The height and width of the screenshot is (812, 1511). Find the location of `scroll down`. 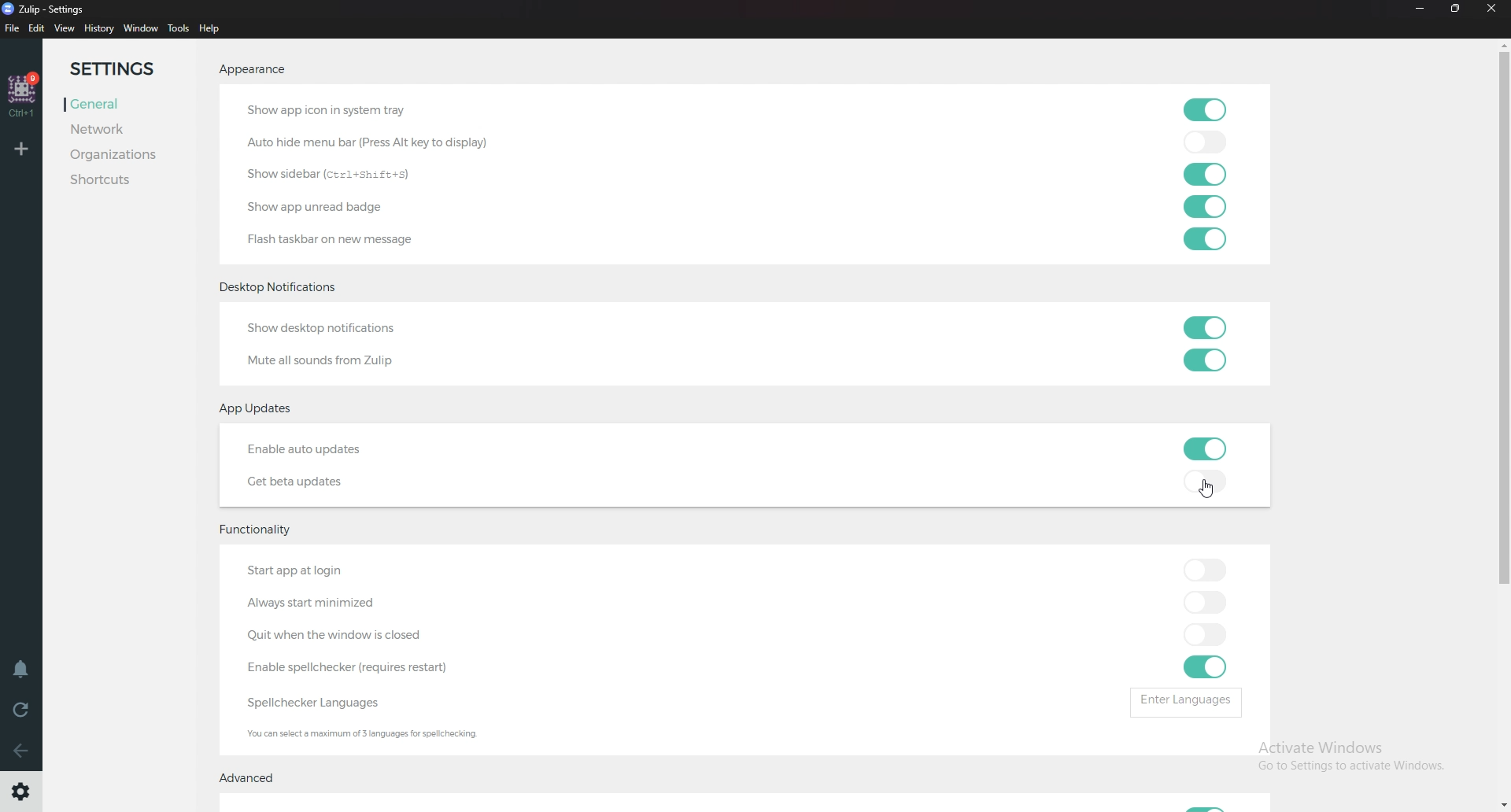

scroll down is located at coordinates (1502, 804).